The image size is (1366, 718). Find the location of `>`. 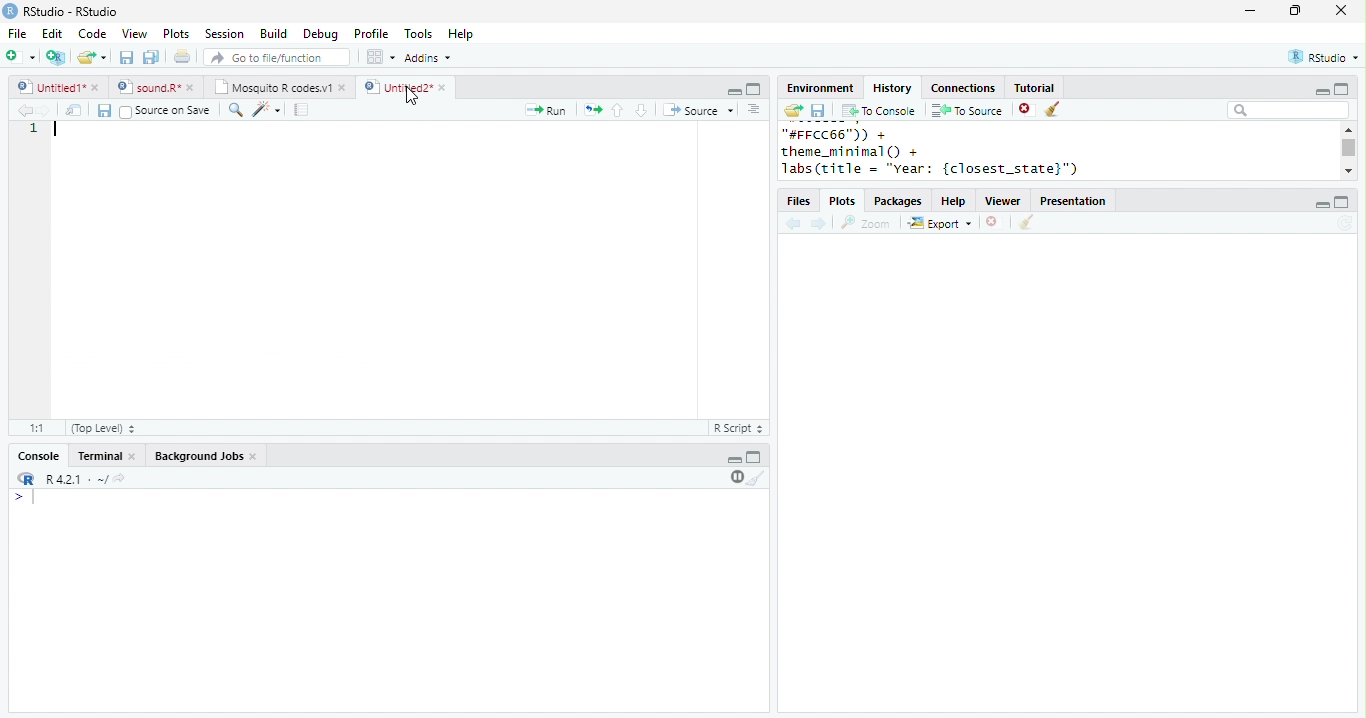

> is located at coordinates (27, 497).